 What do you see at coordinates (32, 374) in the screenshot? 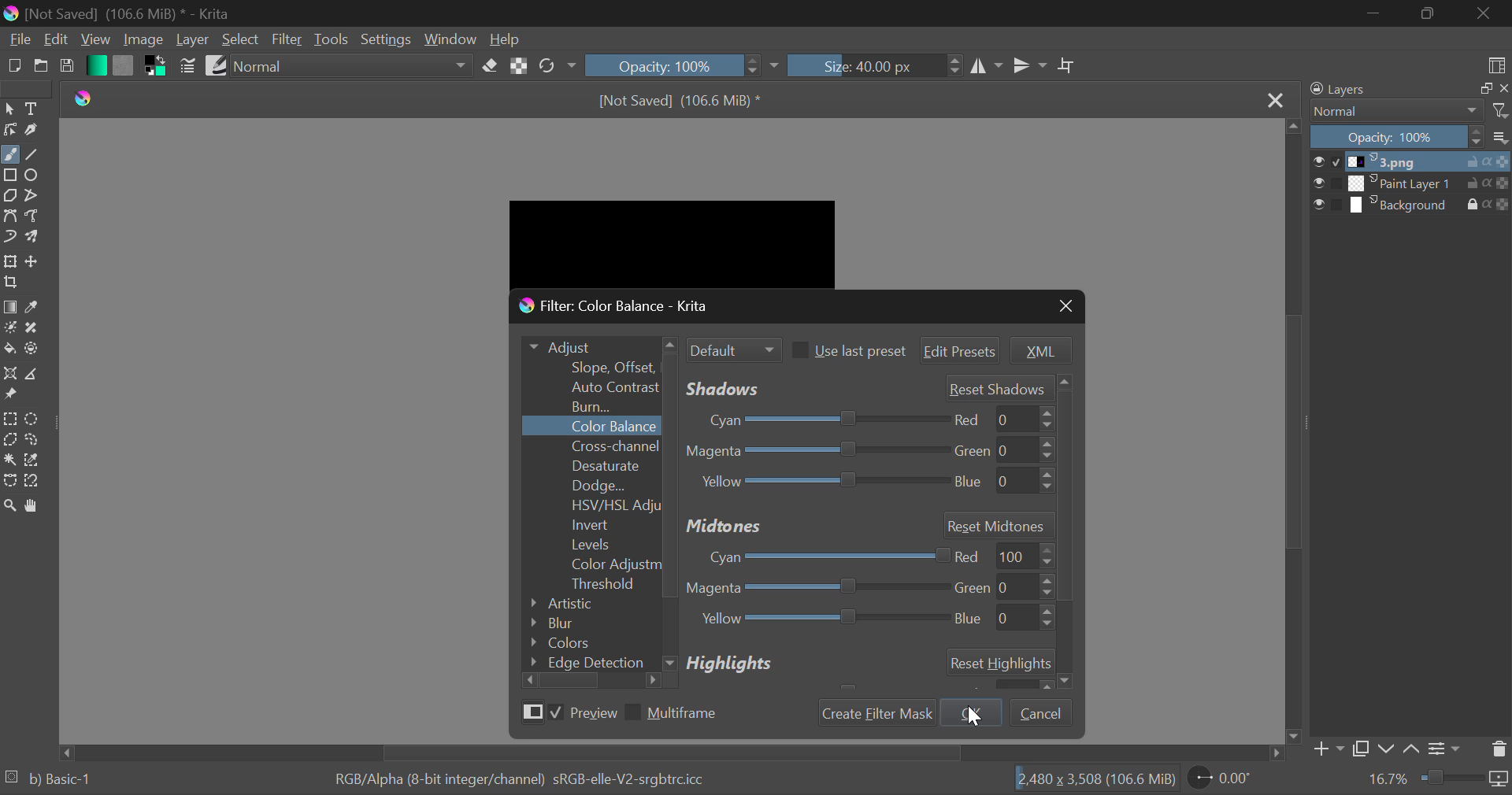
I see `Measurements` at bounding box center [32, 374].